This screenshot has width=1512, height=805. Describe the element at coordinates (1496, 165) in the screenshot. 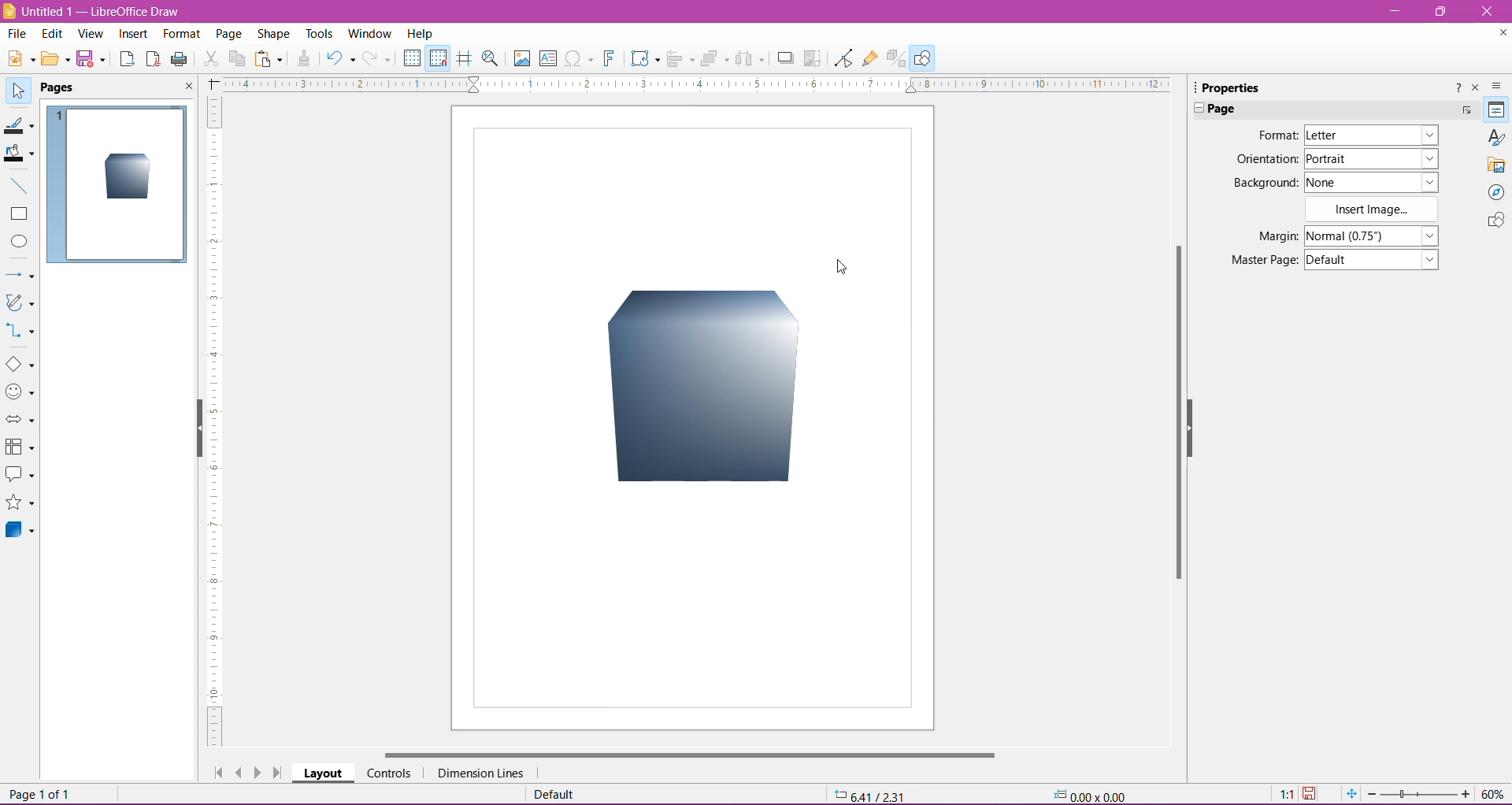

I see `Gallery` at that location.